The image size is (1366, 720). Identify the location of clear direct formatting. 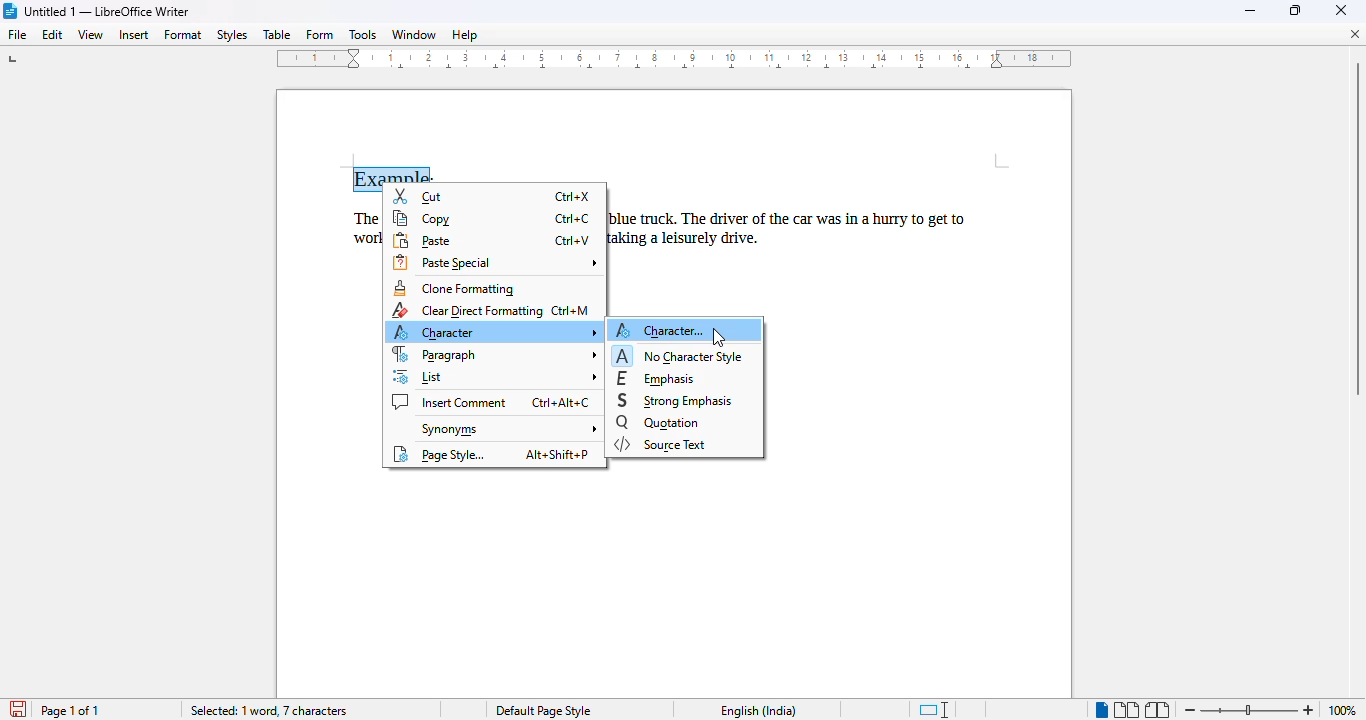
(466, 311).